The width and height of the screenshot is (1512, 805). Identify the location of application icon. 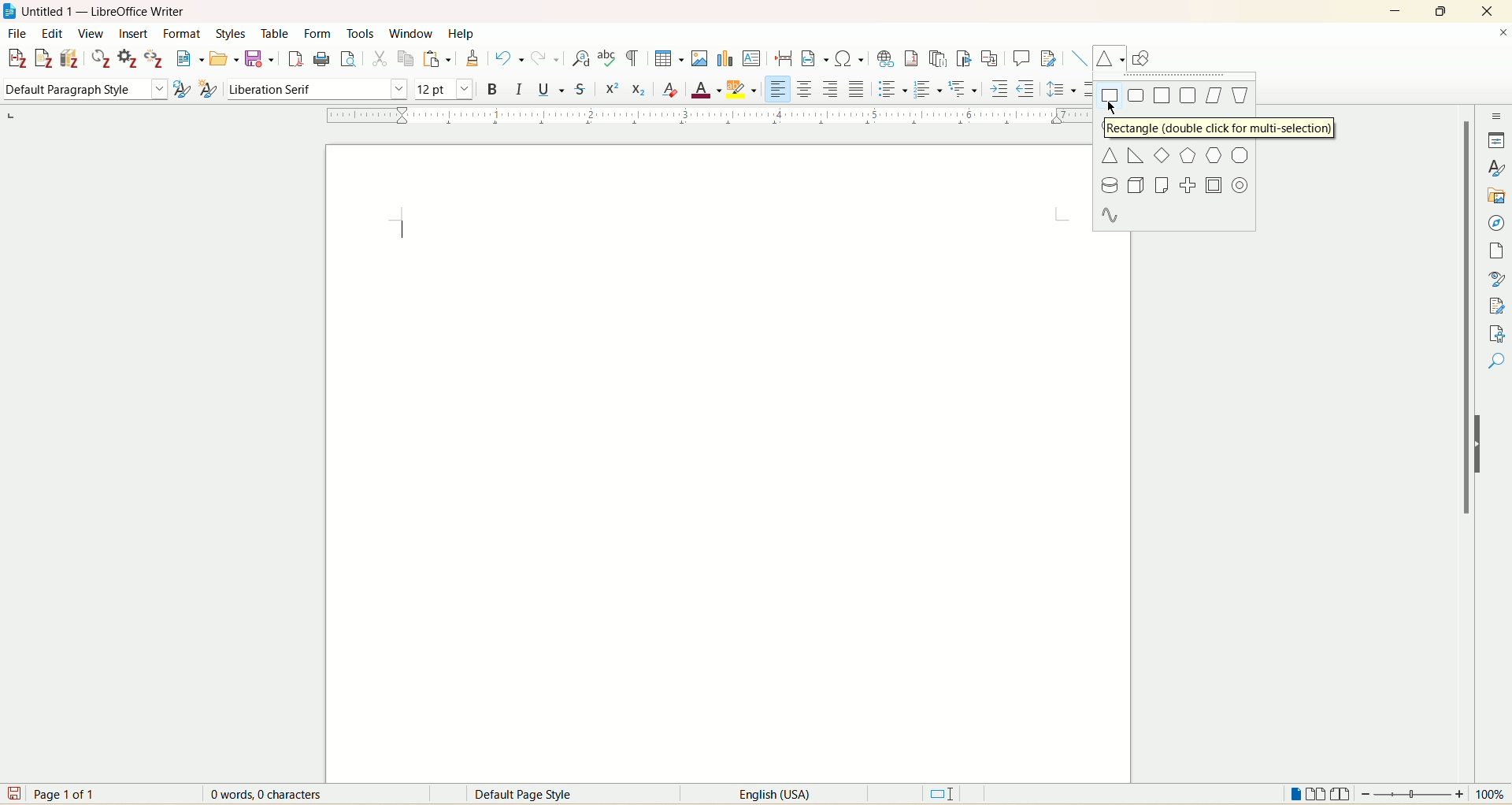
(10, 10).